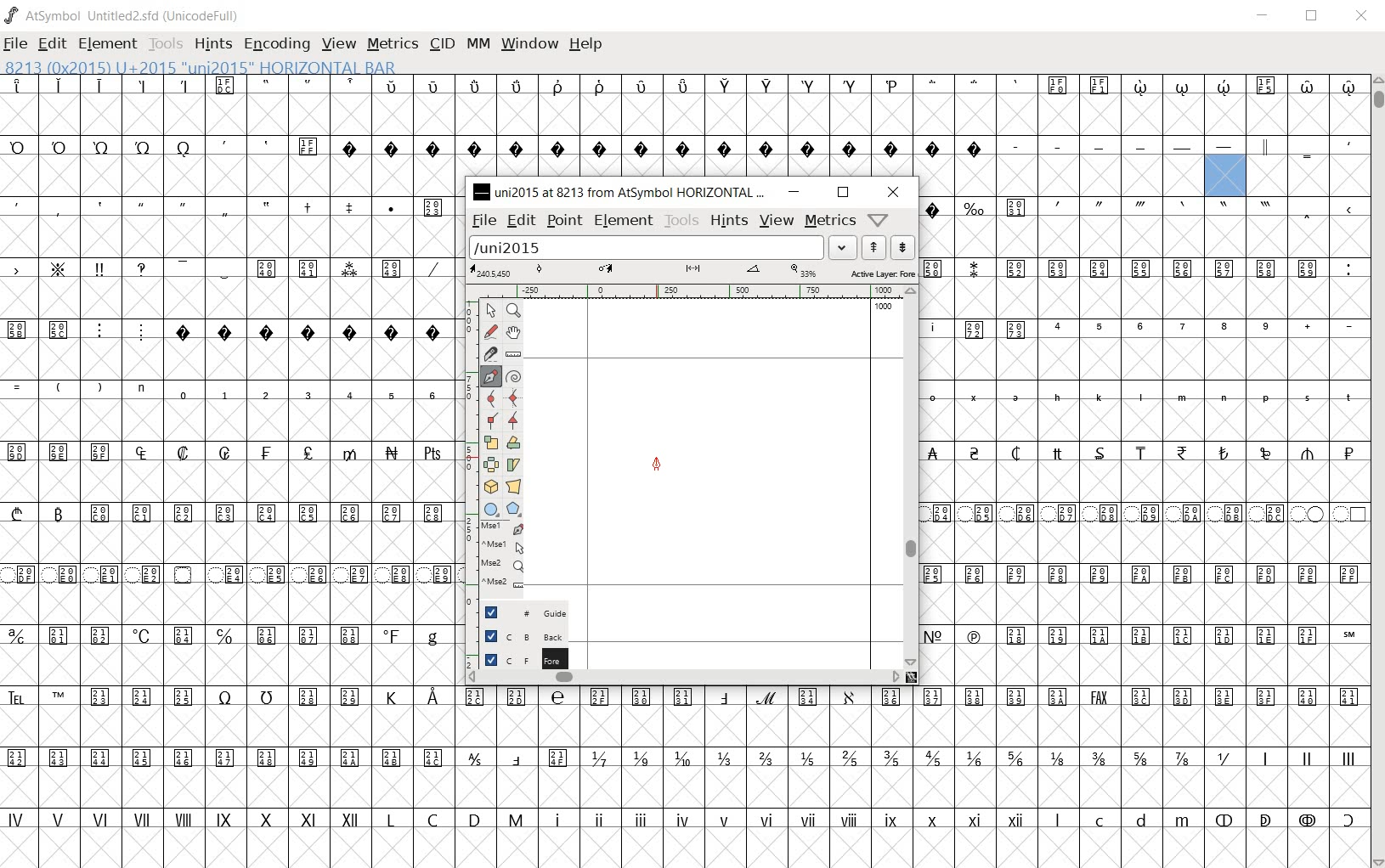 The width and height of the screenshot is (1385, 868). I want to click on add a curve point, so click(490, 398).